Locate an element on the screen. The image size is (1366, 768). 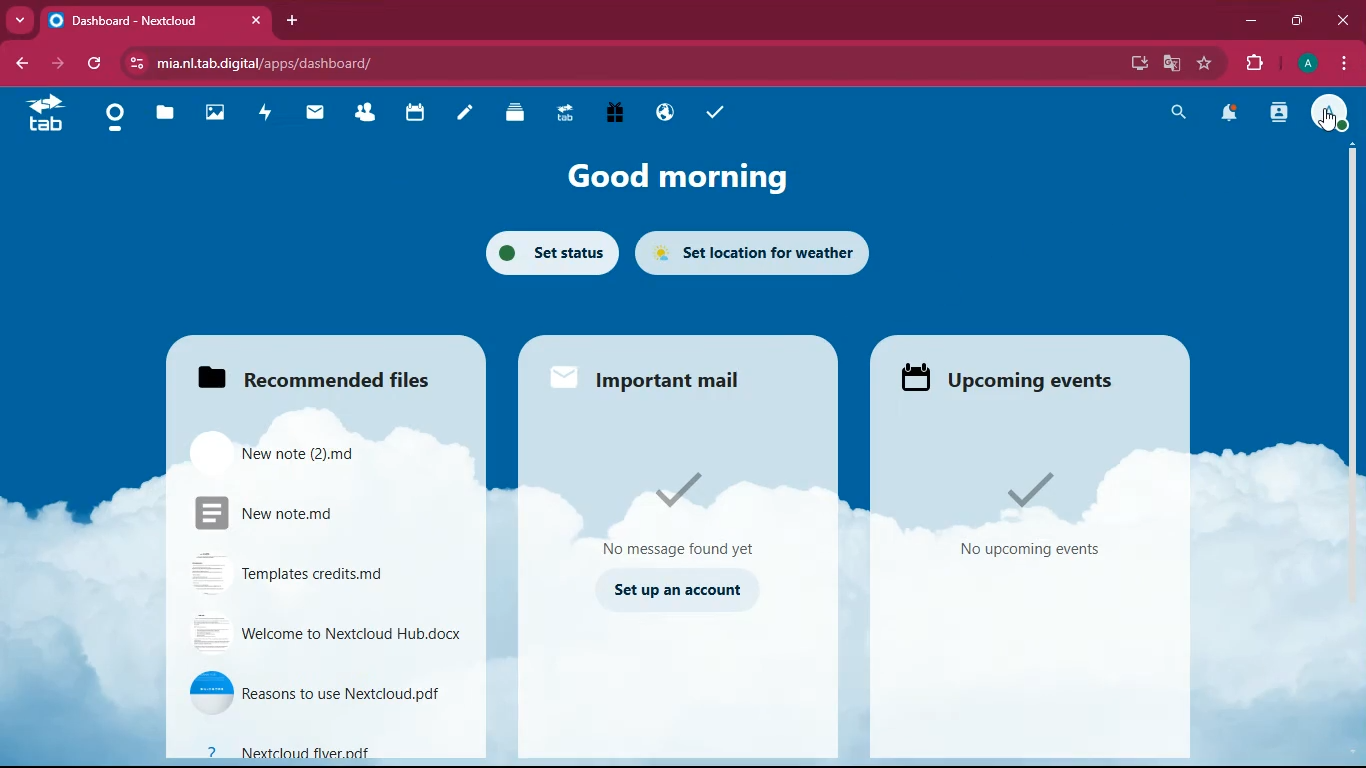
set up is located at coordinates (682, 594).